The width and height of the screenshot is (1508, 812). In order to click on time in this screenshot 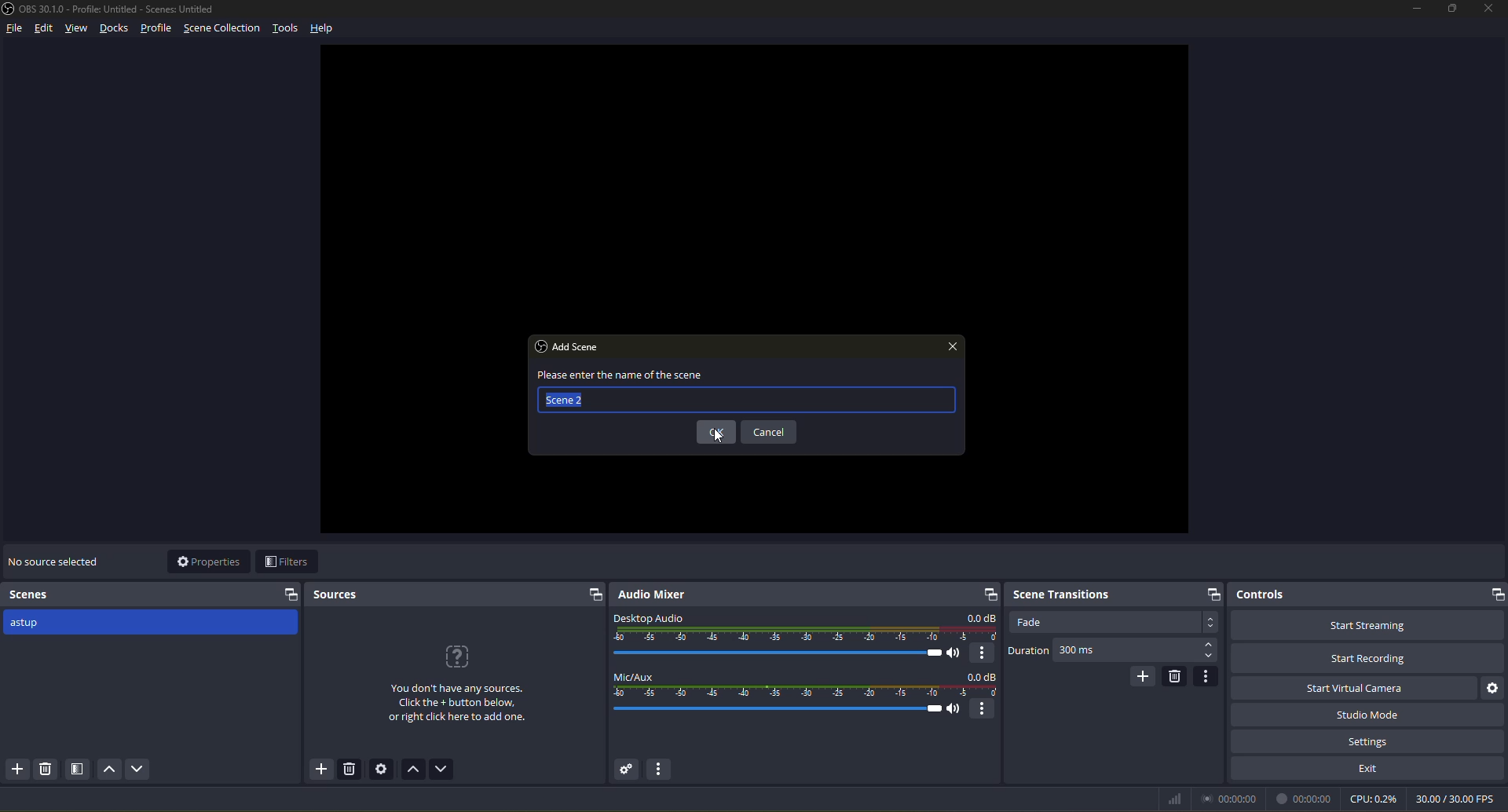, I will do `click(1304, 799)`.